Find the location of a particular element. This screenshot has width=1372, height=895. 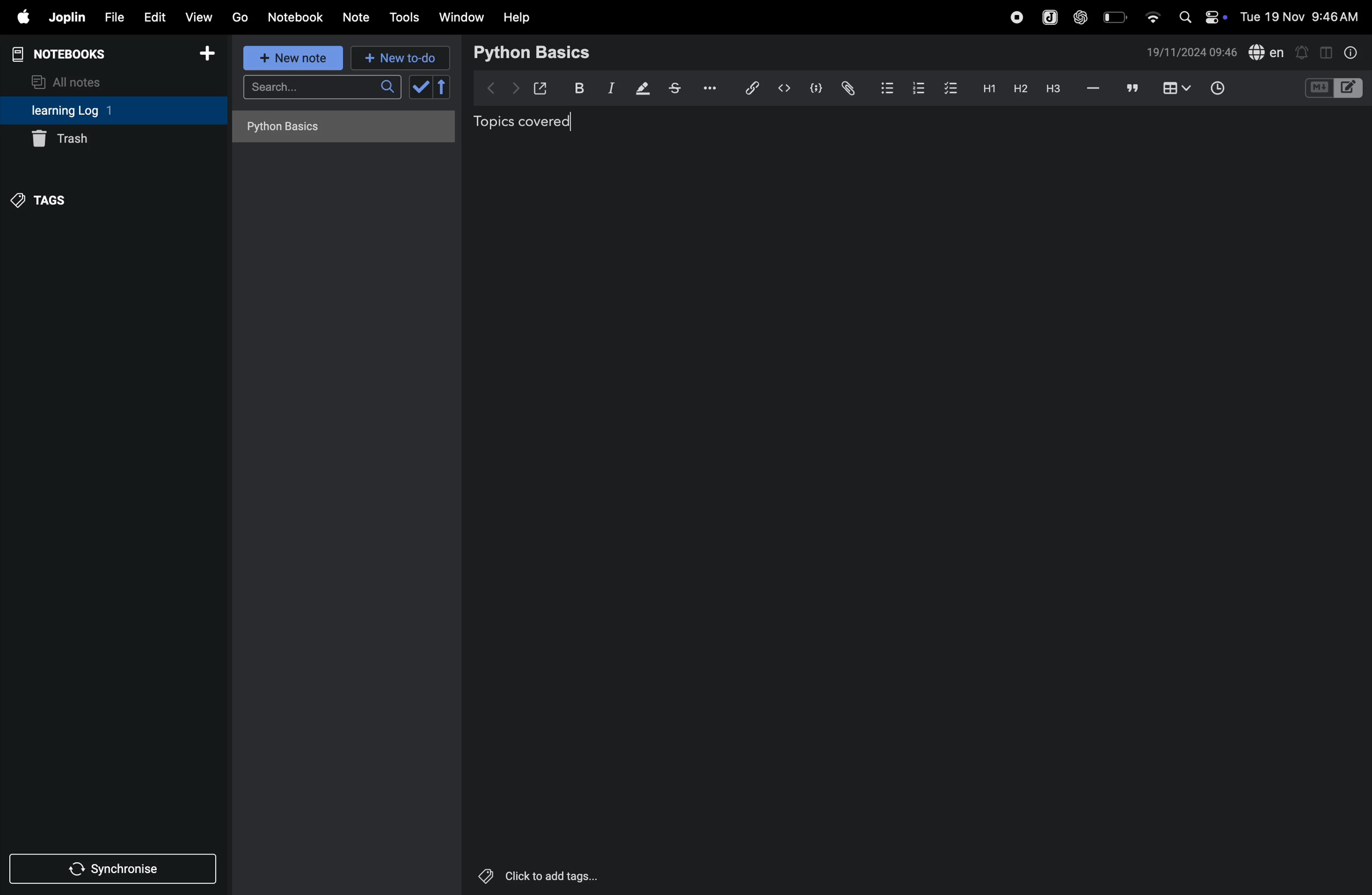

h1 is located at coordinates (986, 88).